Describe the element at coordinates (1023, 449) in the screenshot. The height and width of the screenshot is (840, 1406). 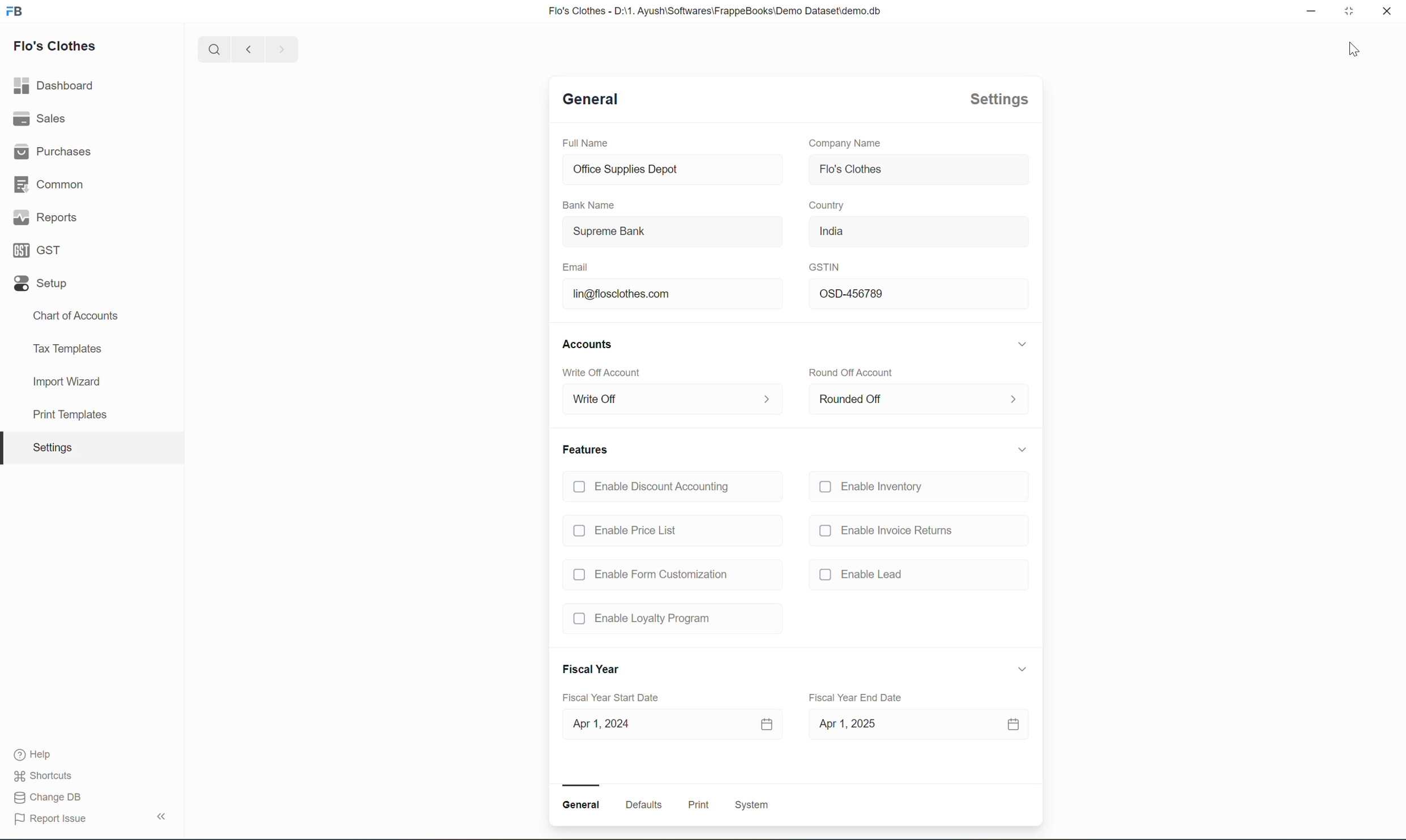
I see `Expand/collapse` at that location.